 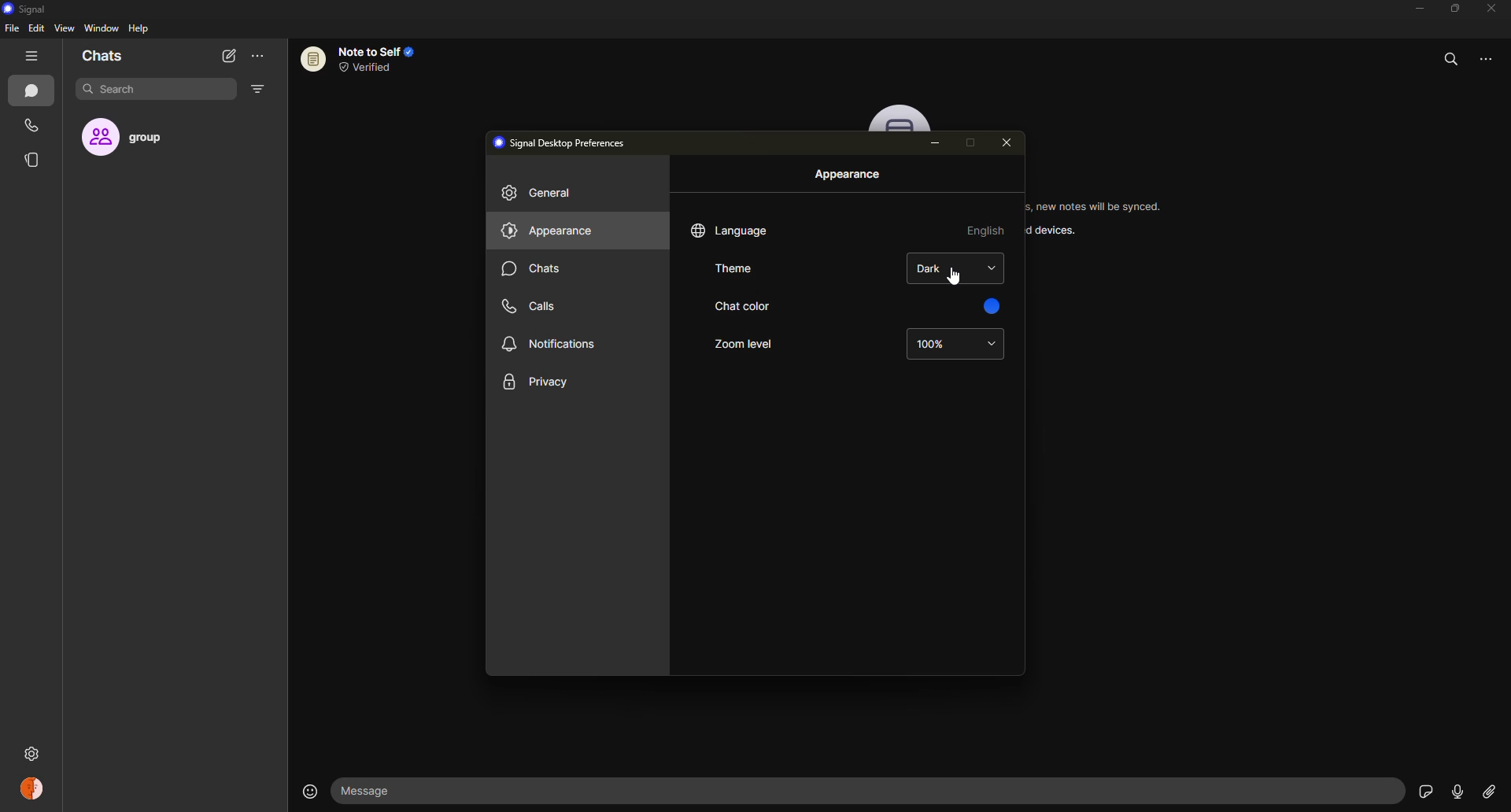 What do you see at coordinates (123, 90) in the screenshot?
I see `search` at bounding box center [123, 90].